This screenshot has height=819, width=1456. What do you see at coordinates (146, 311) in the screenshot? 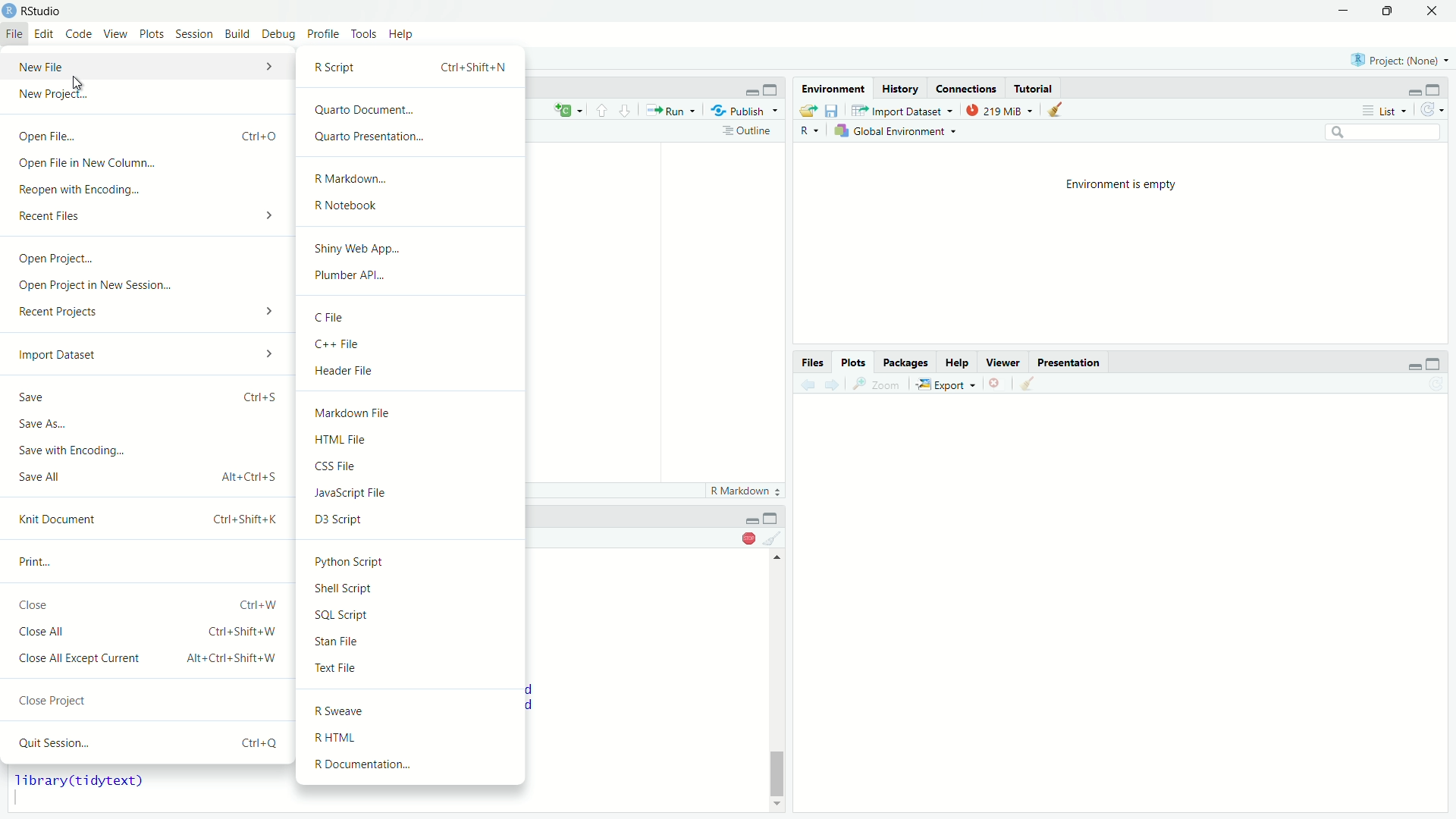
I see `Recent Projects` at bounding box center [146, 311].